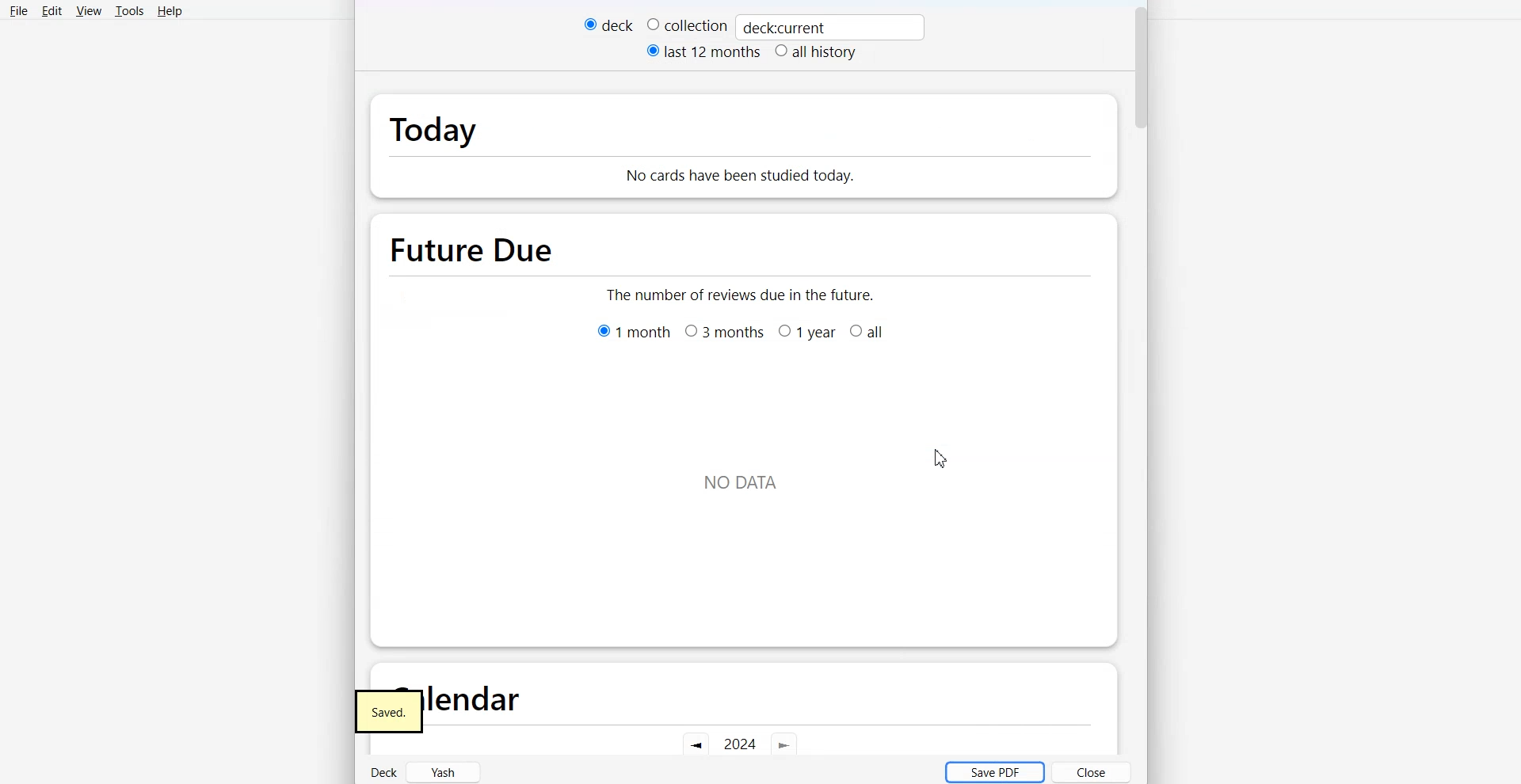  Describe the element at coordinates (785, 747) in the screenshot. I see `Go Forward` at that location.